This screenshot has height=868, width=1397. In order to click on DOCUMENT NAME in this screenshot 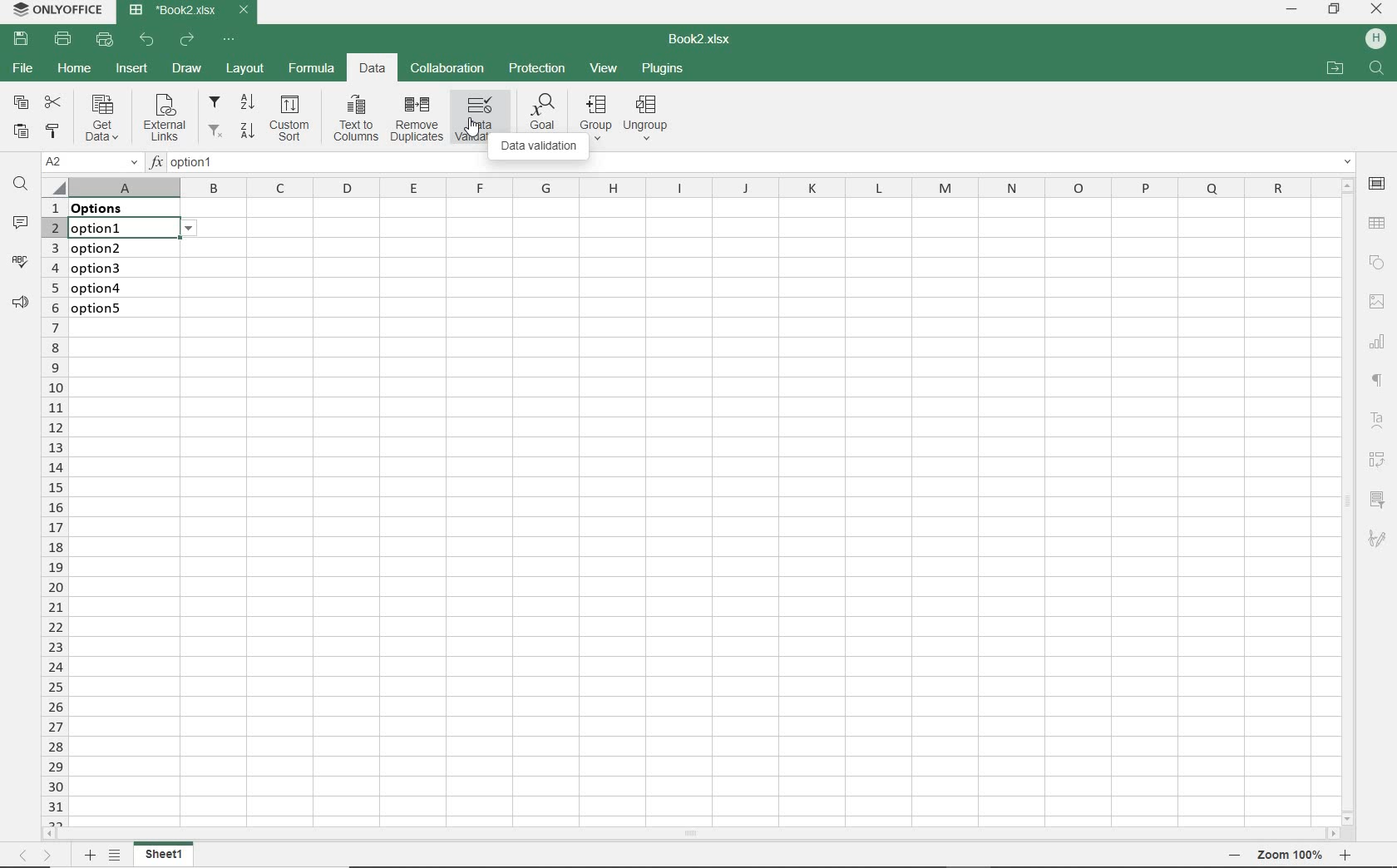, I will do `click(190, 10)`.